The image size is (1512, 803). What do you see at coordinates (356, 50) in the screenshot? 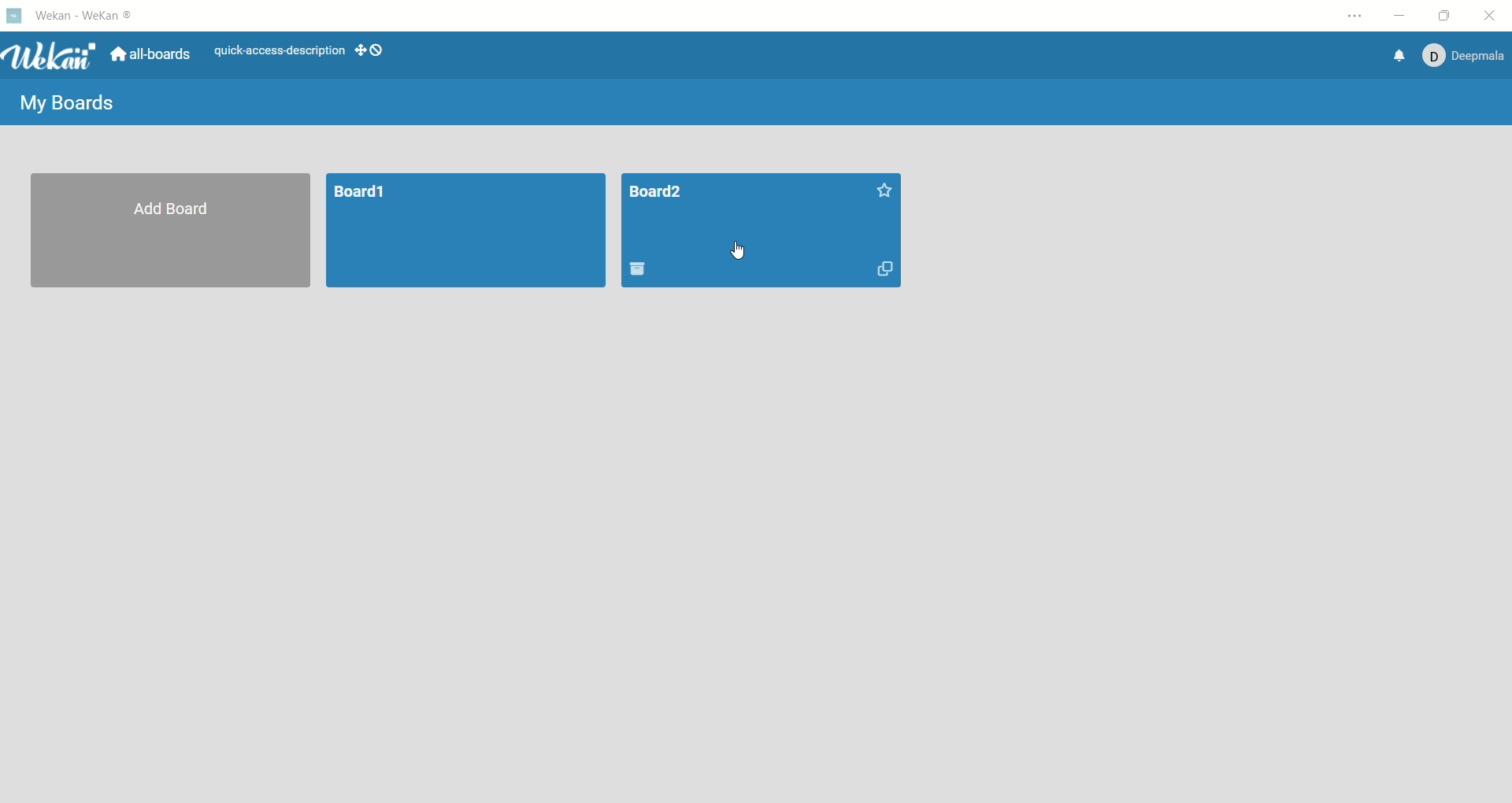
I see `show-desktp-drag-handles` at bounding box center [356, 50].